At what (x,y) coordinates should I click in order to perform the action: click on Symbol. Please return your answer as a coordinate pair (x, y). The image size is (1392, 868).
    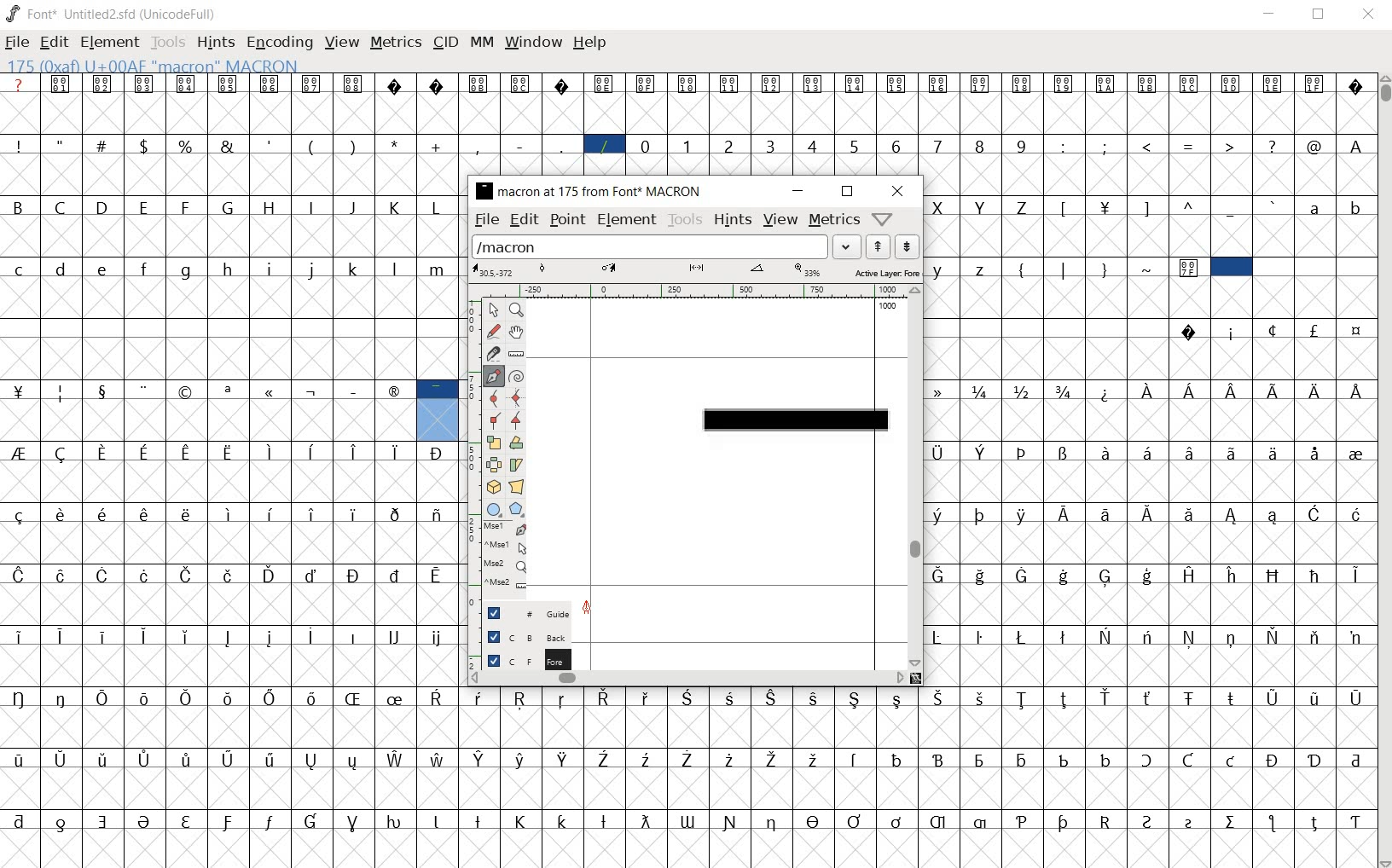
    Looking at the image, I should click on (606, 760).